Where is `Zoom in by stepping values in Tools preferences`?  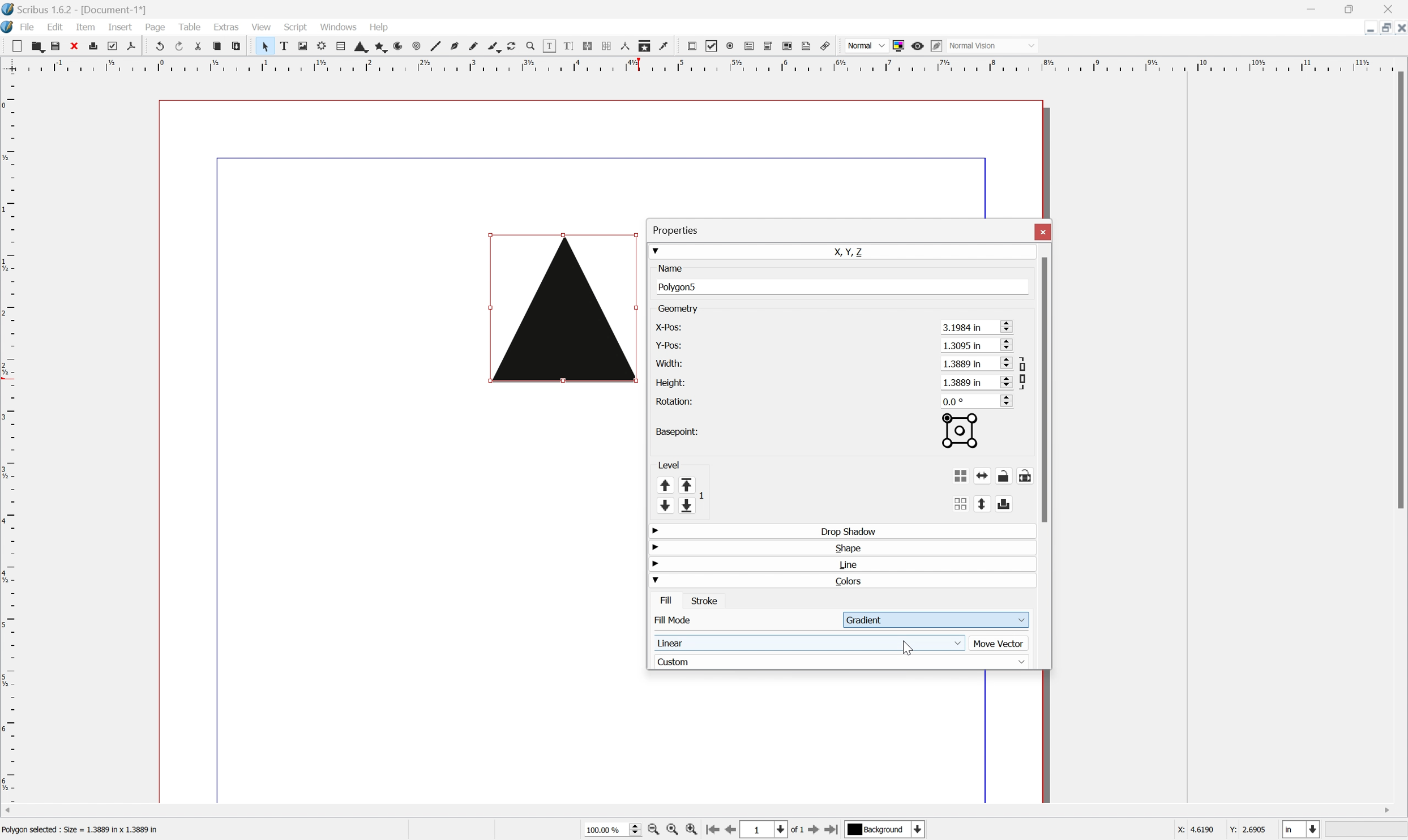
Zoom in by stepping values in Tools preferences is located at coordinates (691, 830).